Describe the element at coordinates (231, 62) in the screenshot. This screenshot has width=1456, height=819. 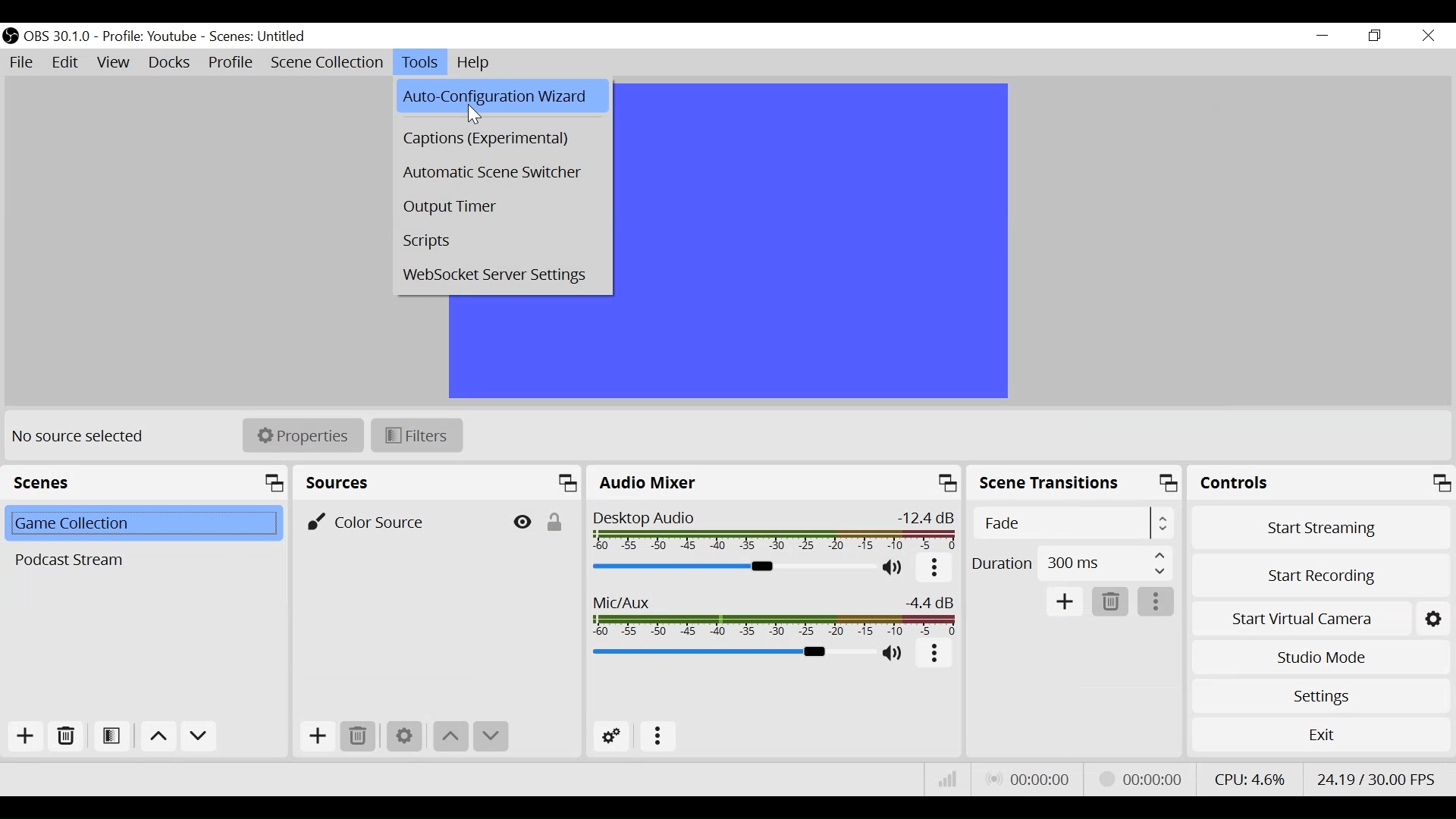
I see `Profile` at that location.